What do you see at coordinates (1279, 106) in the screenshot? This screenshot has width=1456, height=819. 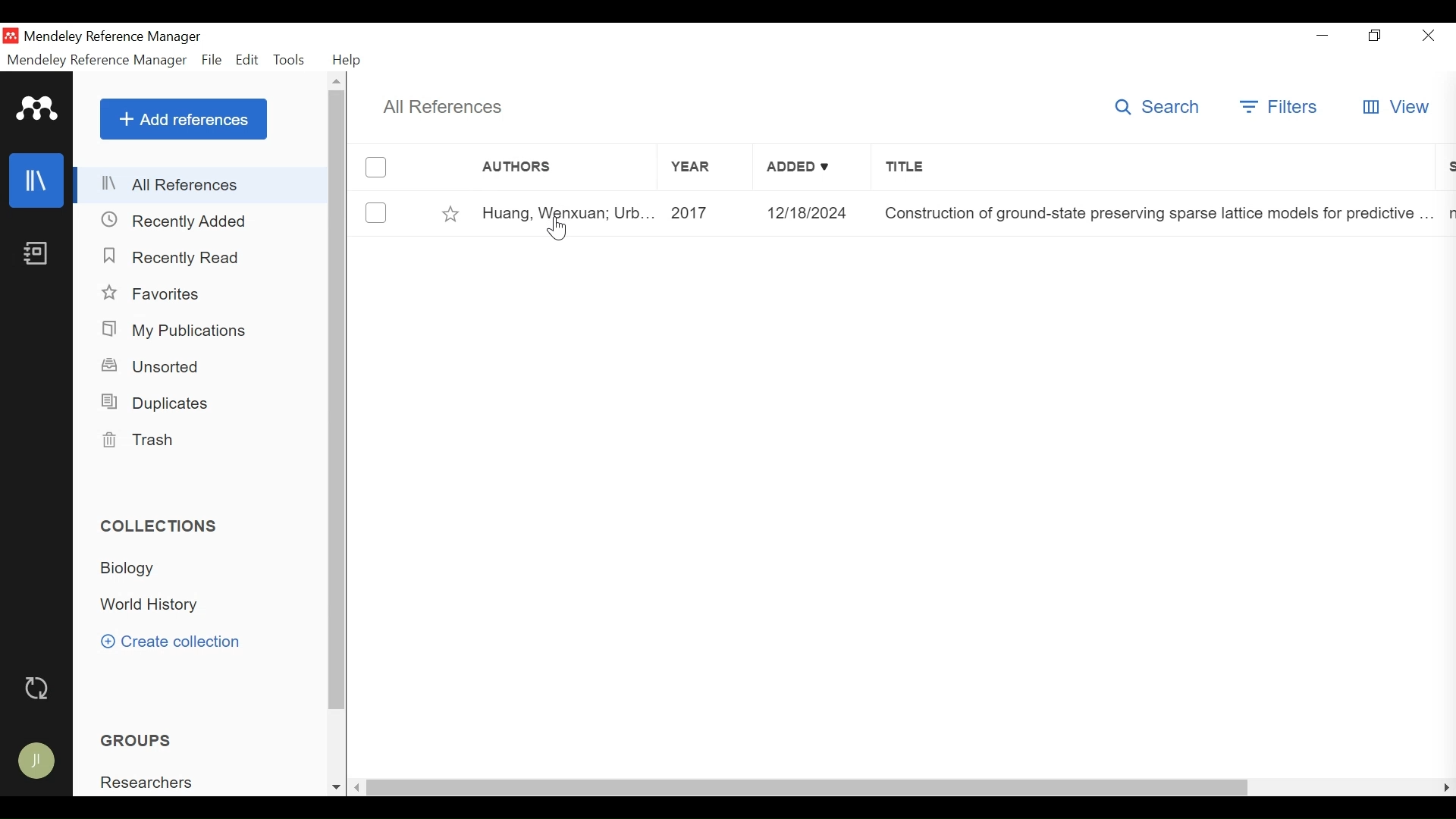 I see `Filters` at bounding box center [1279, 106].